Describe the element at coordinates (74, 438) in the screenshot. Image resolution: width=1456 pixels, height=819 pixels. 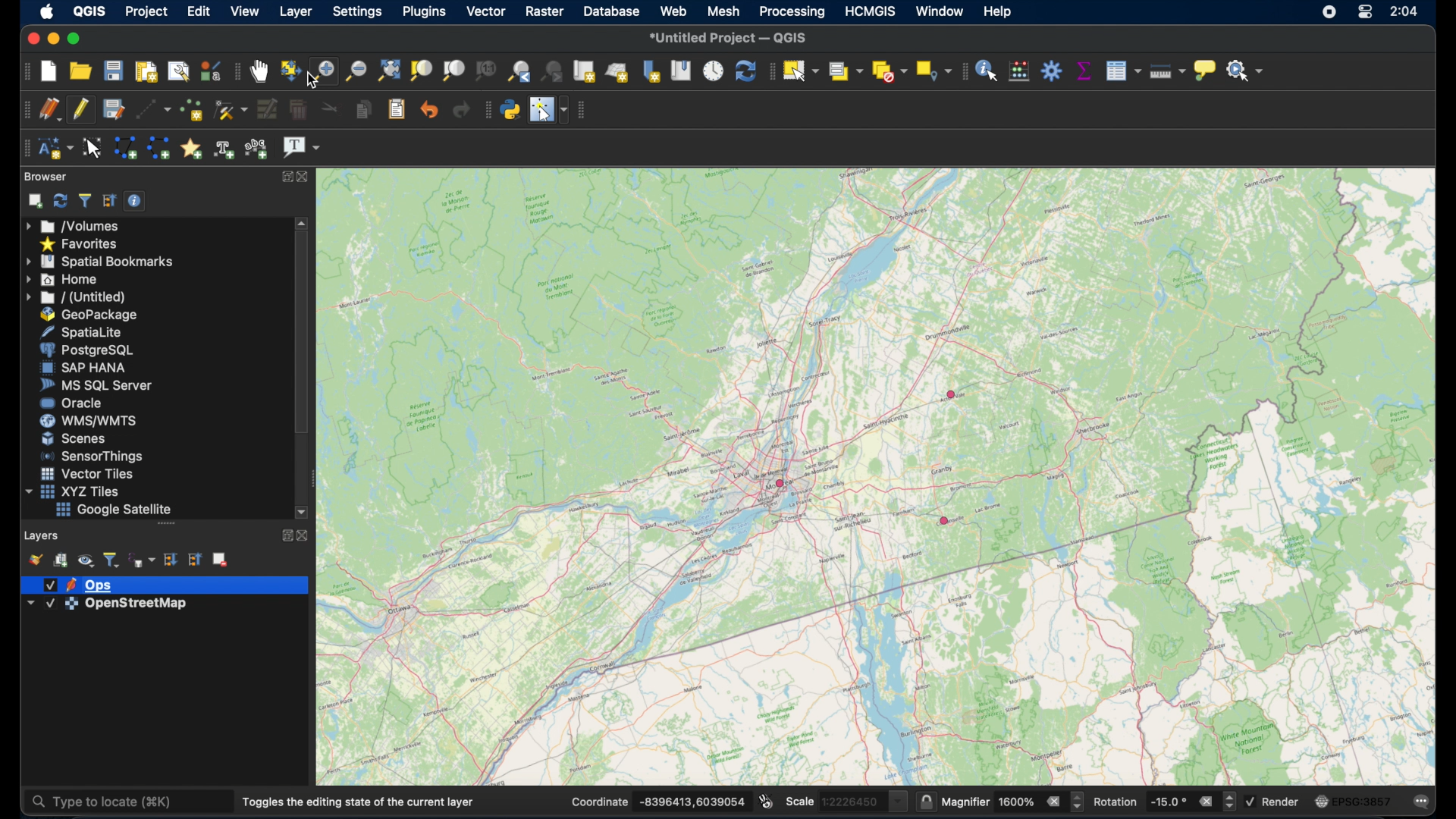
I see `scenes` at that location.